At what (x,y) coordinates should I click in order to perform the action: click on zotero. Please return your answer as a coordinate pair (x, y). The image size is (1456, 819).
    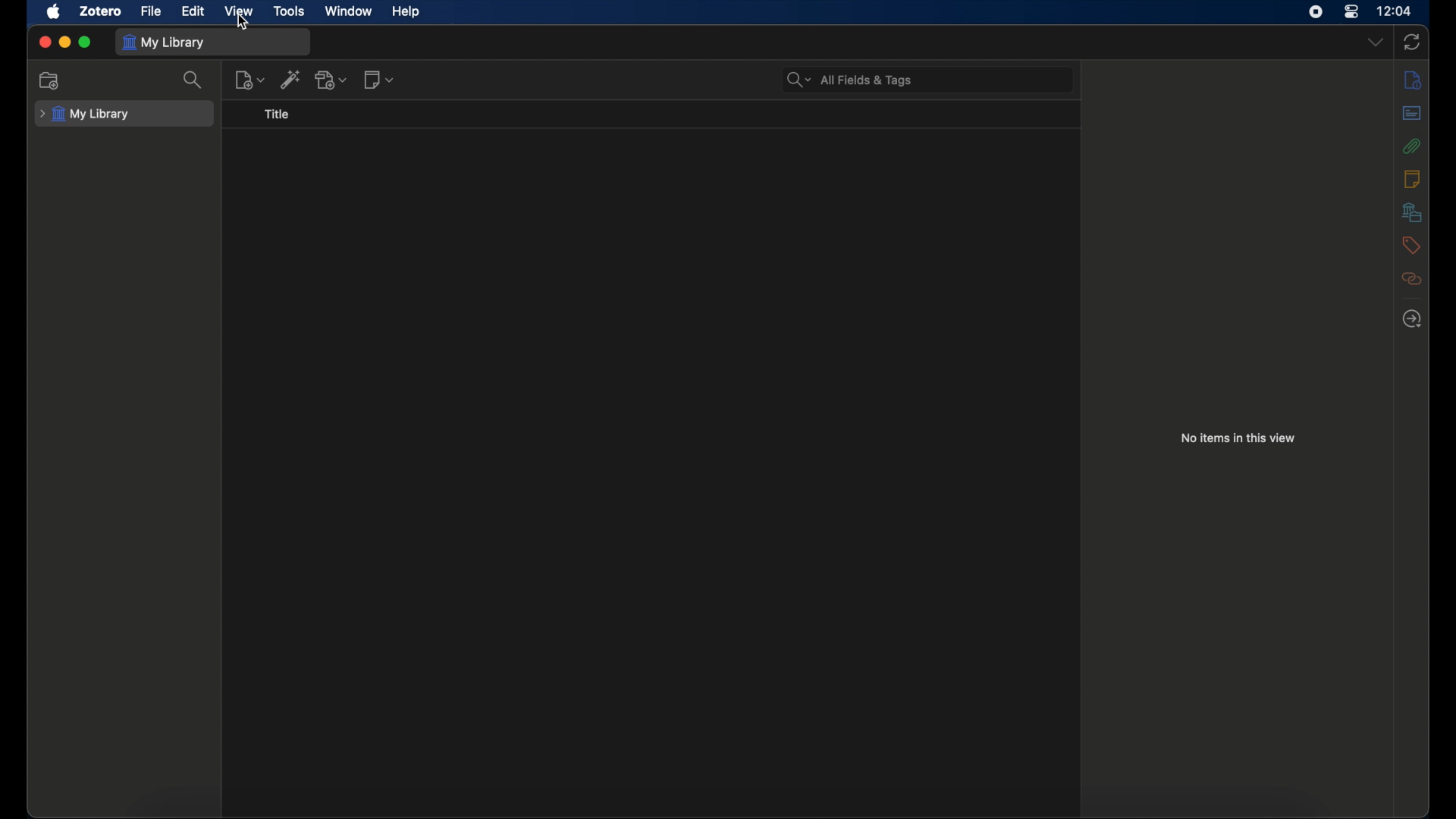
    Looking at the image, I should click on (102, 11).